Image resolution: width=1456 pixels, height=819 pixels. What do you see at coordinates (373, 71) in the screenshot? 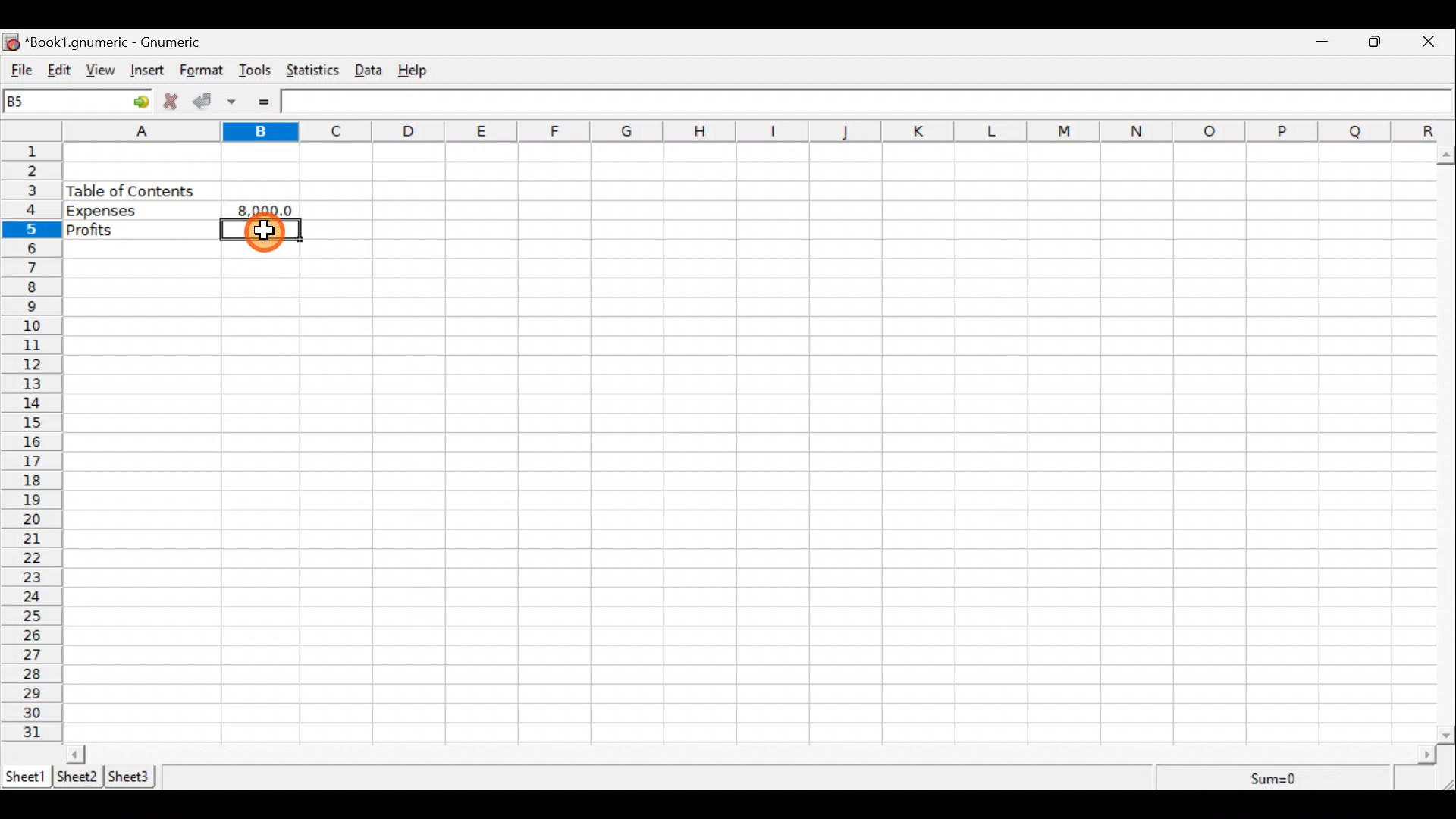
I see `Data` at bounding box center [373, 71].